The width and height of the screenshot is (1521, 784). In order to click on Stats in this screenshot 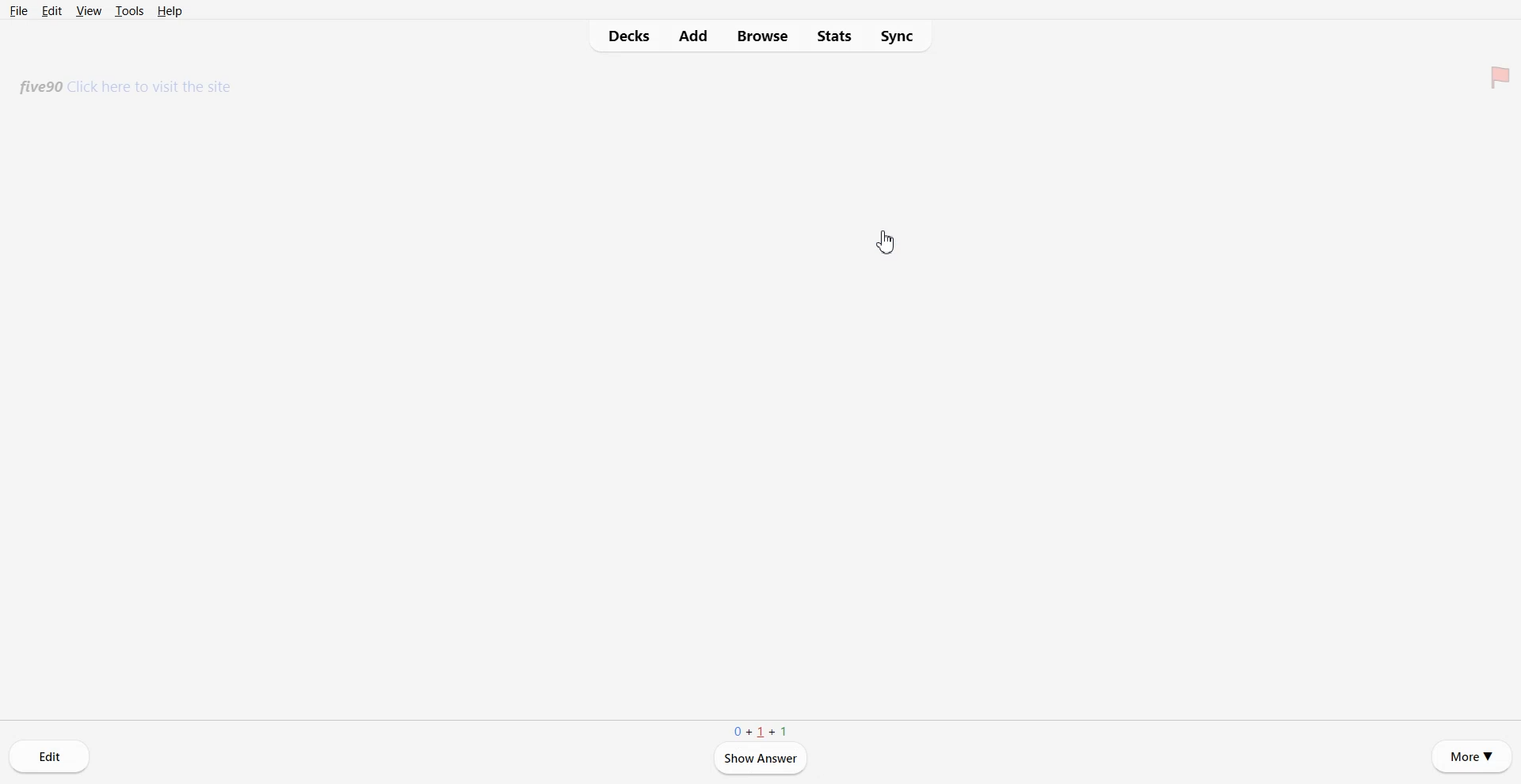, I will do `click(833, 36)`.